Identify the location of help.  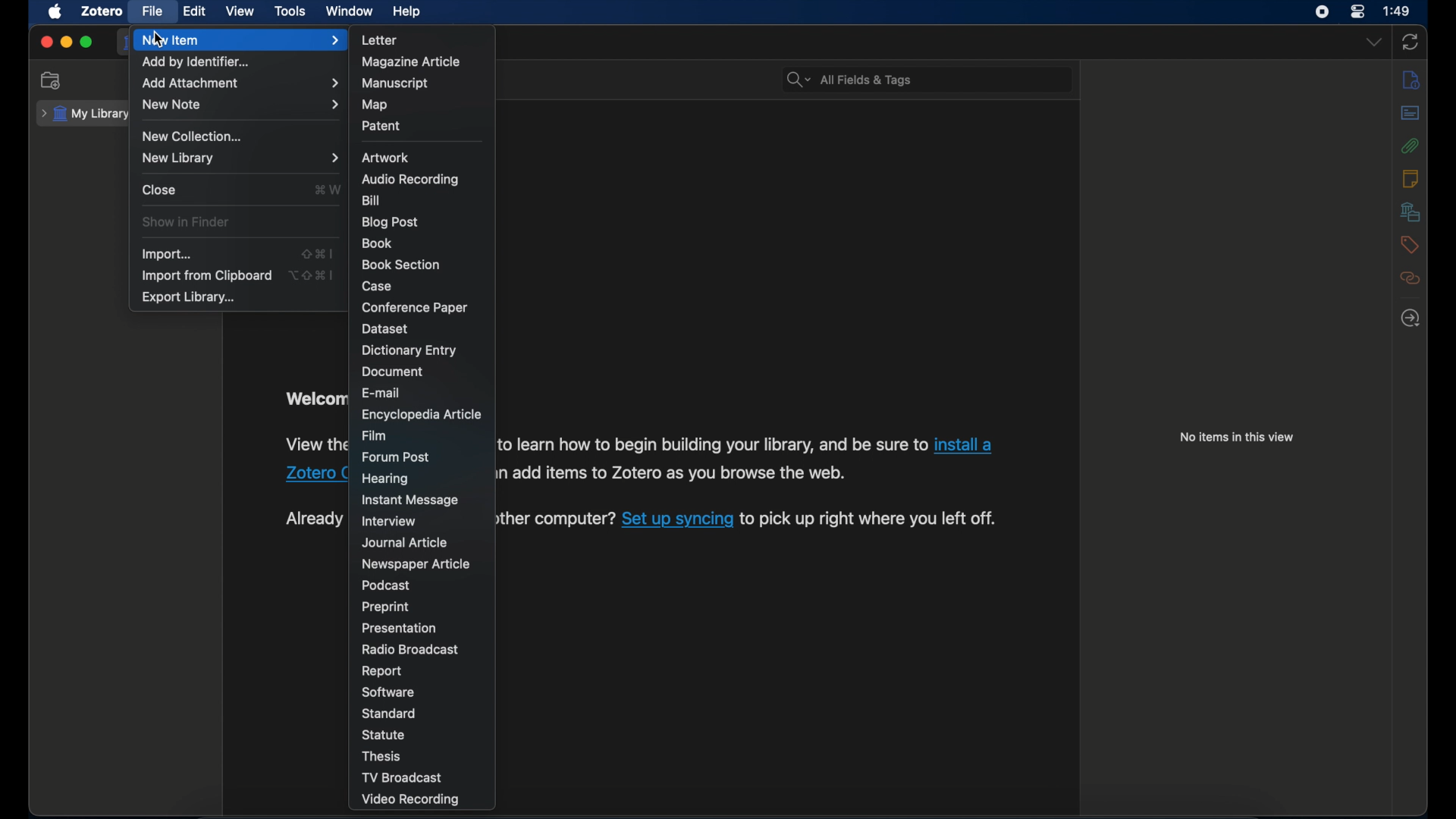
(409, 12).